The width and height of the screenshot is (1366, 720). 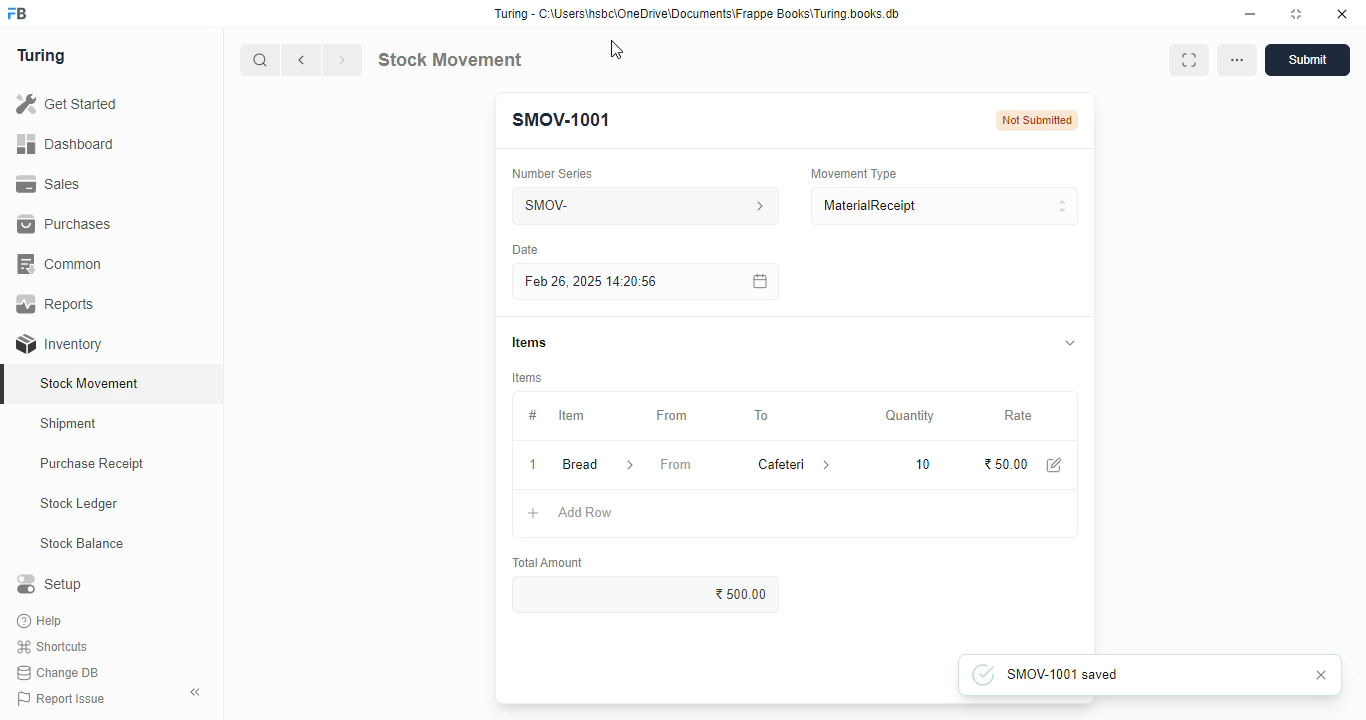 I want to click on add row, so click(x=586, y=512).